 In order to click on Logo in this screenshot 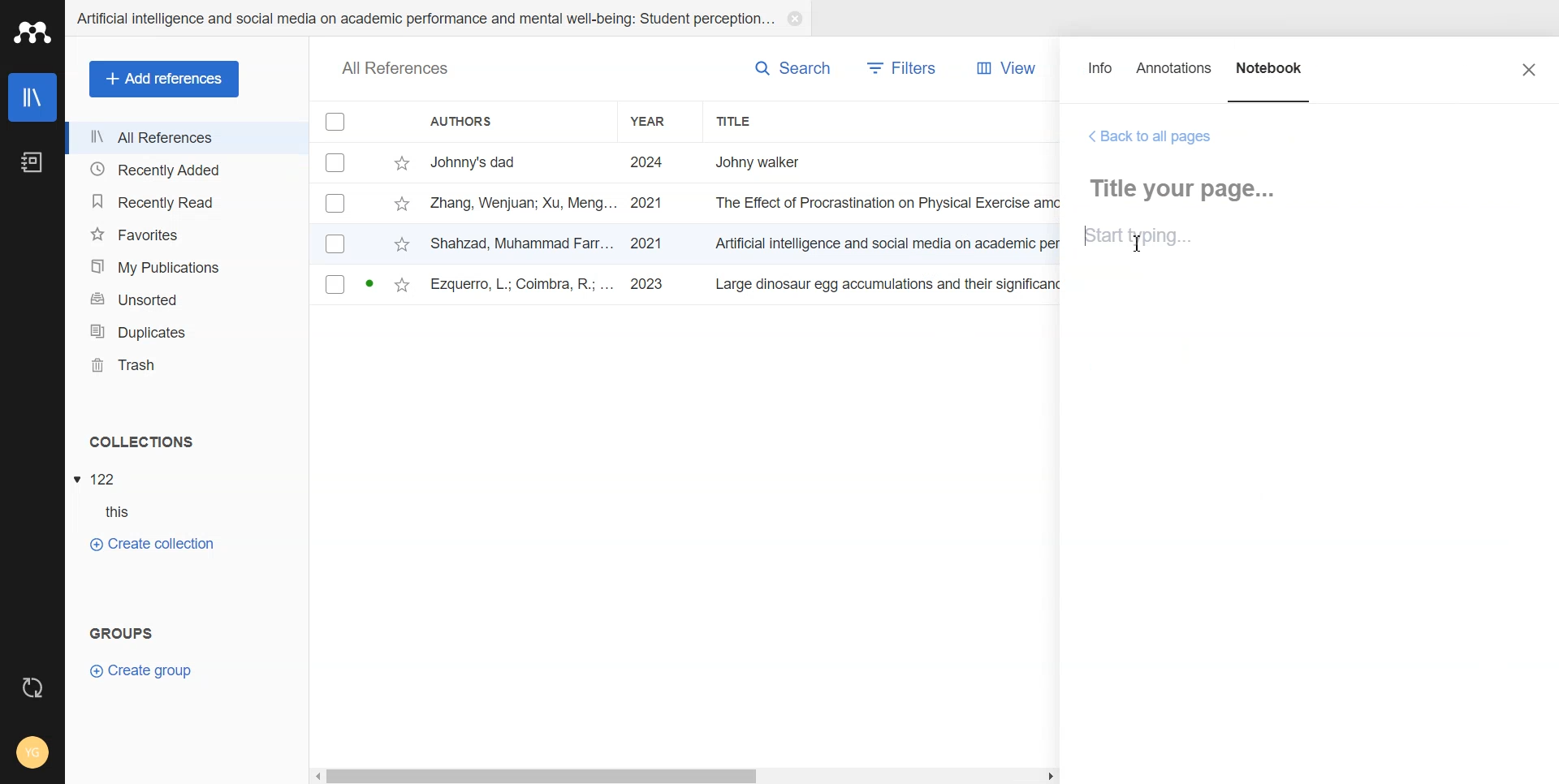, I will do `click(32, 32)`.